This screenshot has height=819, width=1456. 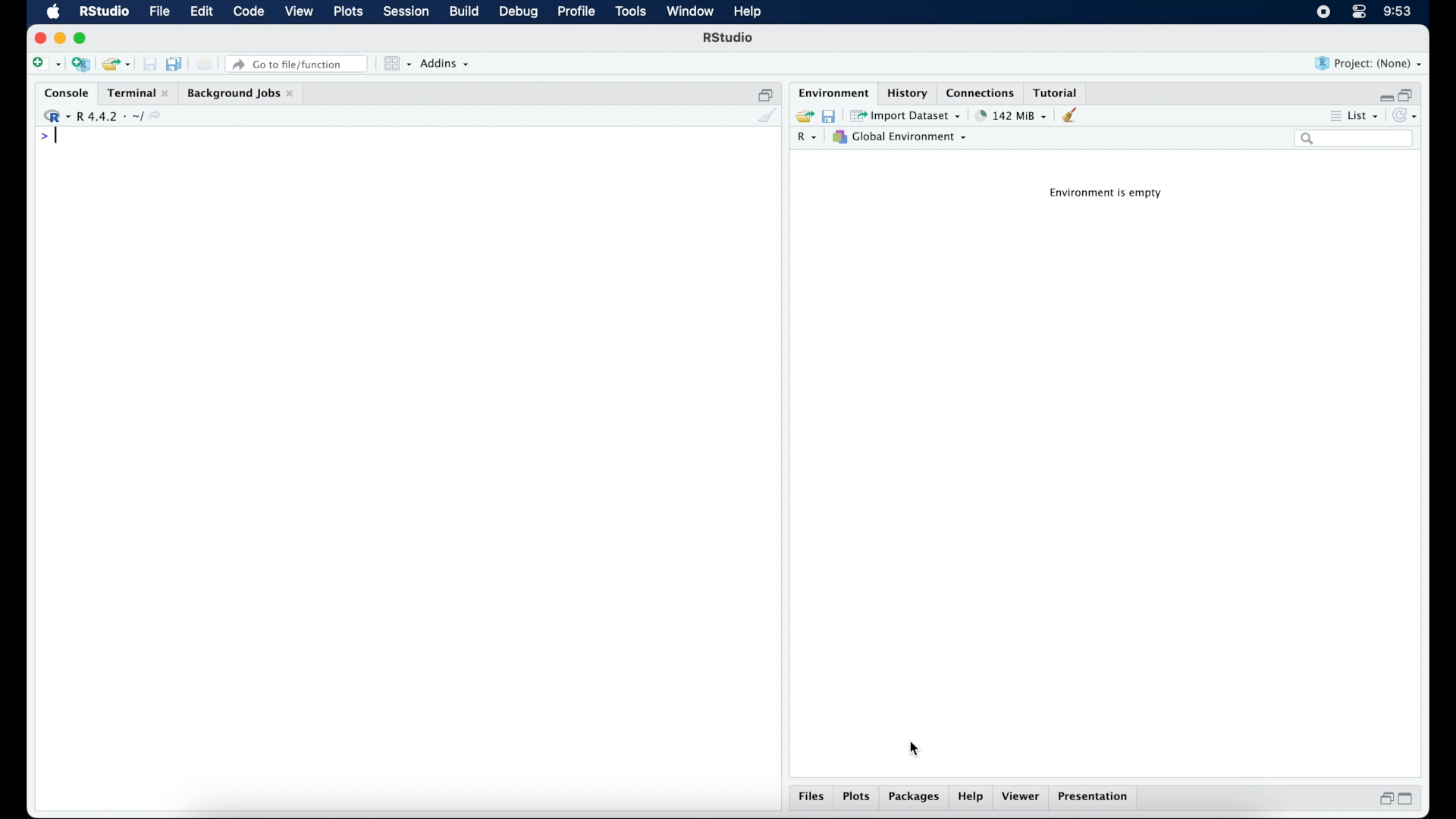 What do you see at coordinates (833, 92) in the screenshot?
I see `environment` at bounding box center [833, 92].